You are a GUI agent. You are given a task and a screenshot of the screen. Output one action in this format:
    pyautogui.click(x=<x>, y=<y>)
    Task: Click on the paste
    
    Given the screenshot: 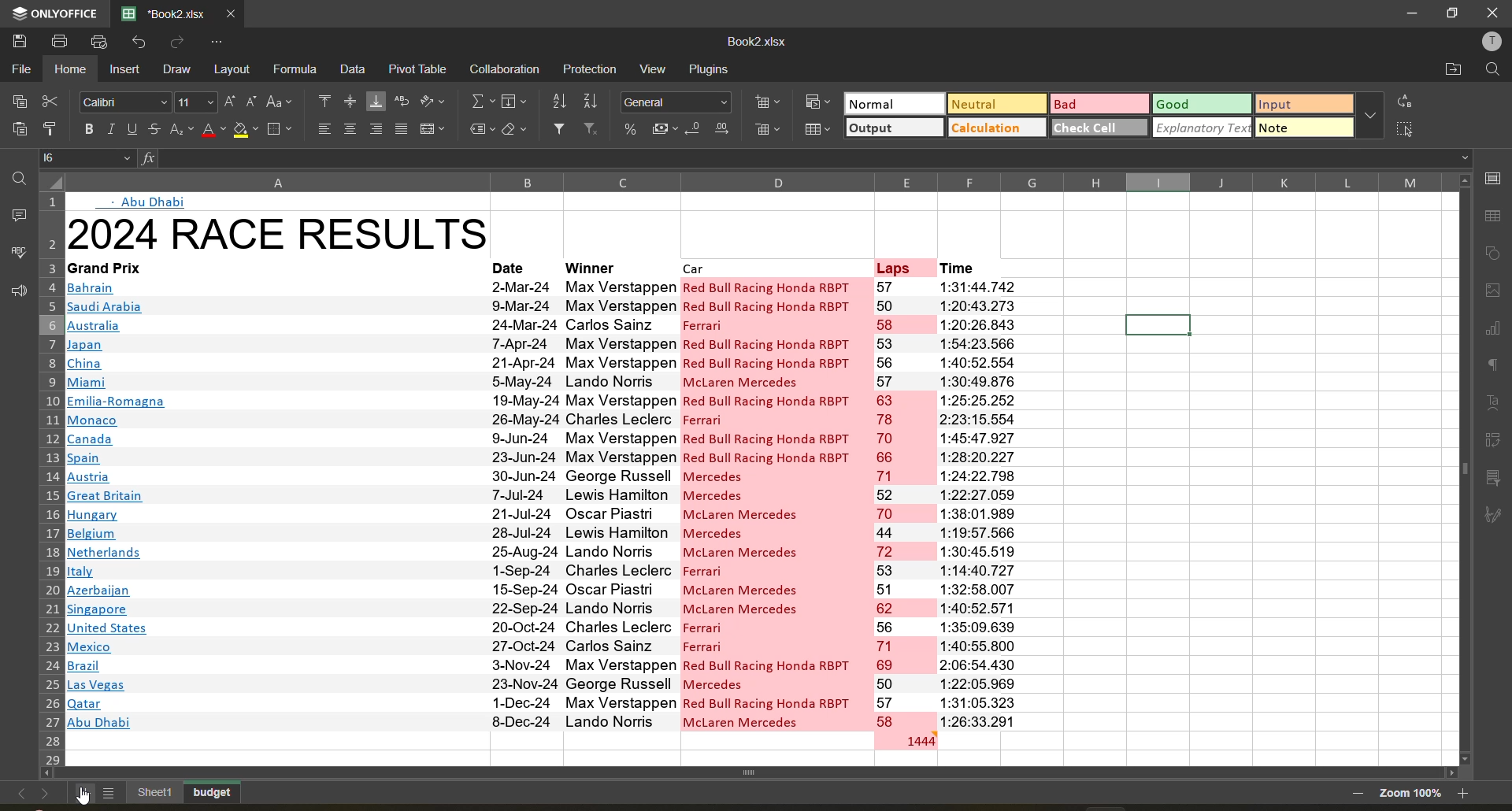 What is the action you would take?
    pyautogui.click(x=20, y=130)
    